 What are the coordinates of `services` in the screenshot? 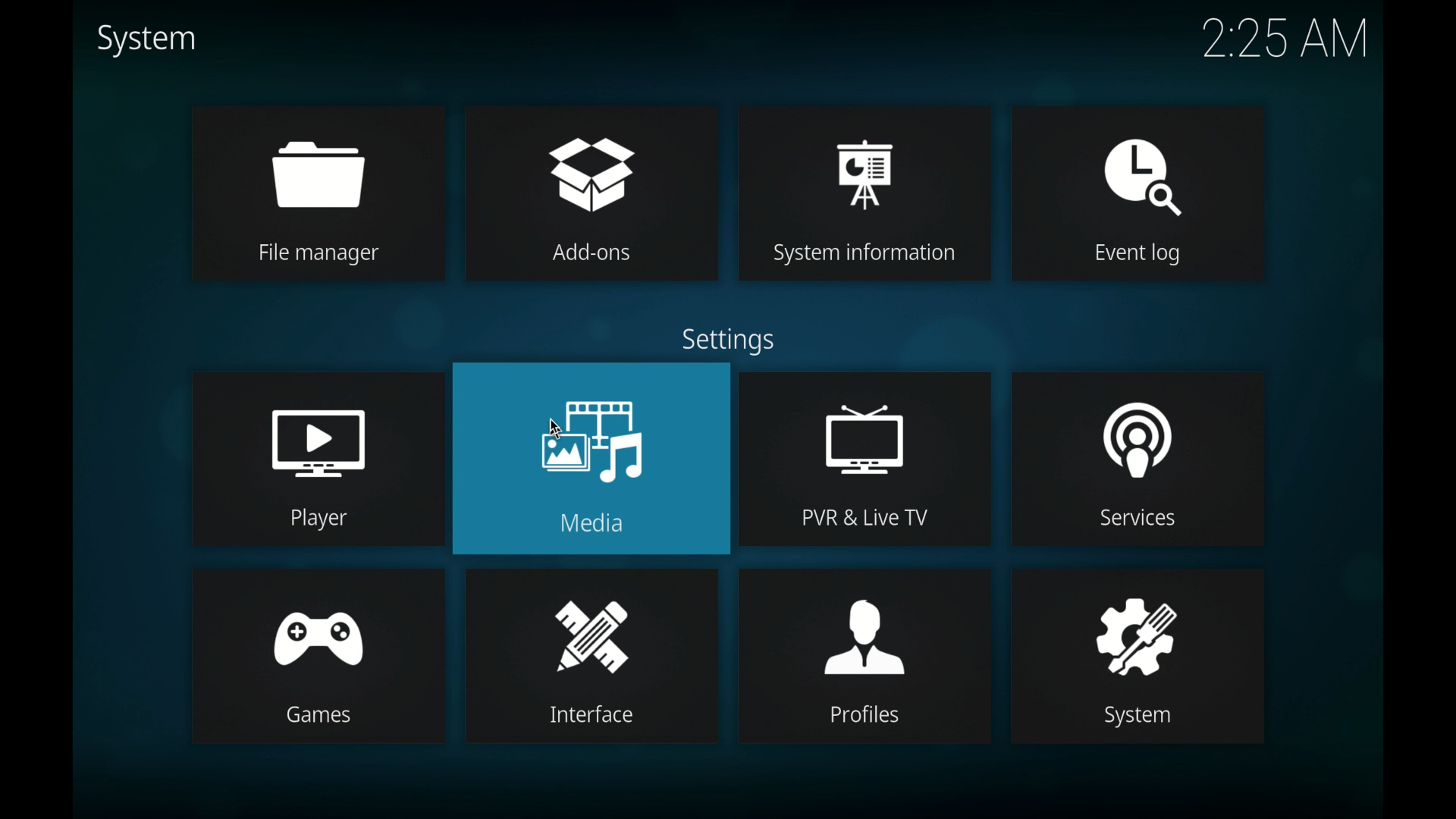 It's located at (1139, 430).